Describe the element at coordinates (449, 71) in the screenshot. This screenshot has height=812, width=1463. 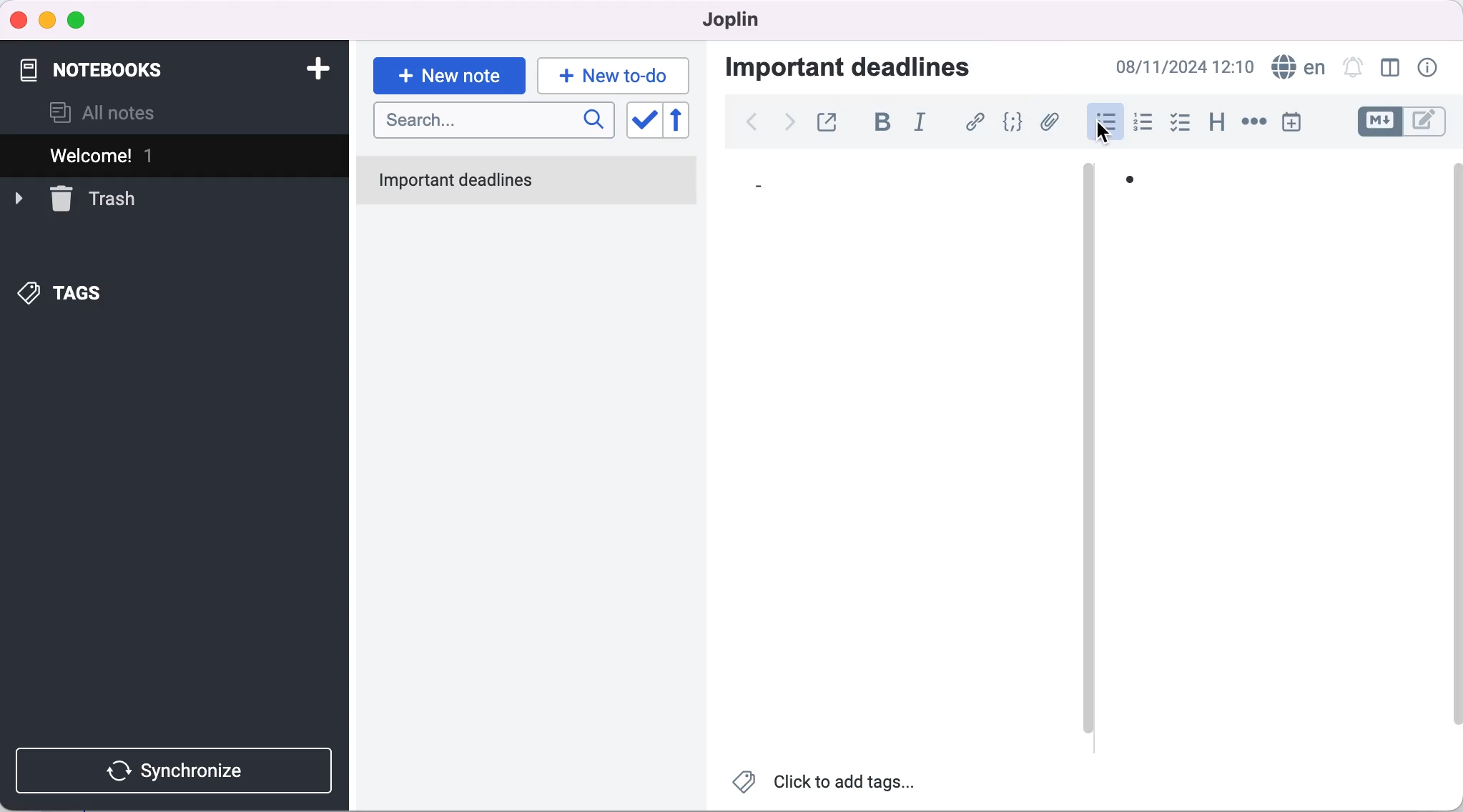
I see `new note` at that location.